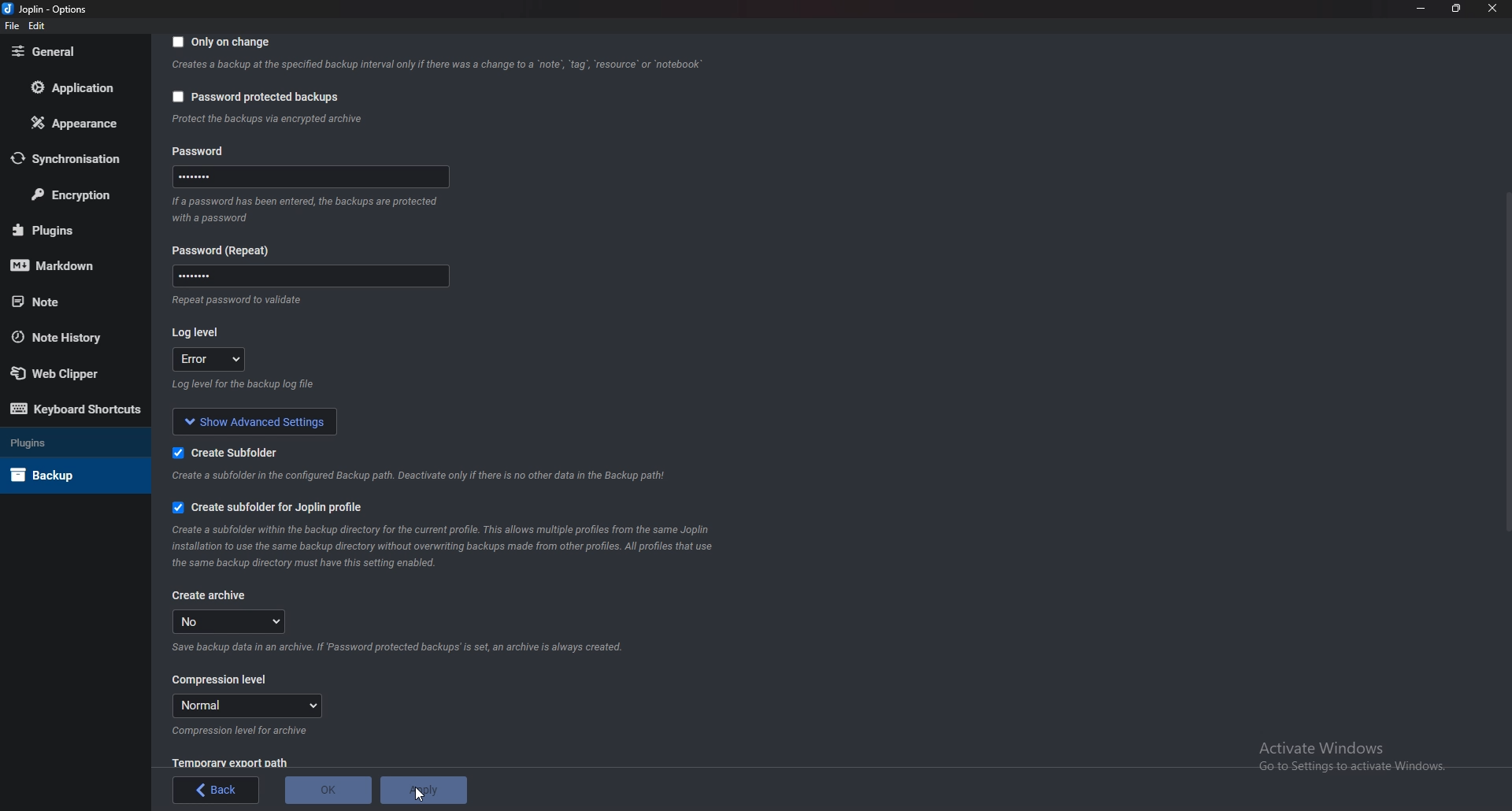  What do you see at coordinates (64, 267) in the screenshot?
I see `mark down` at bounding box center [64, 267].